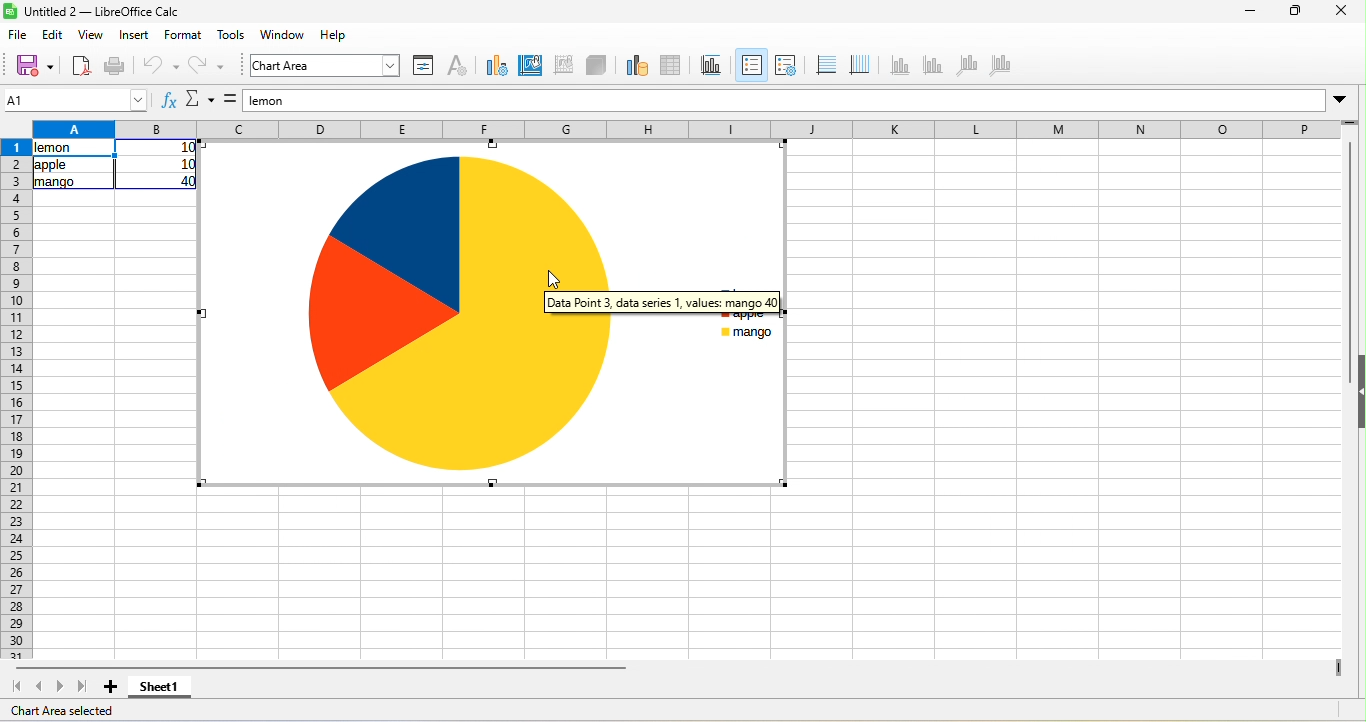  Describe the element at coordinates (559, 279) in the screenshot. I see `cursor movement` at that location.